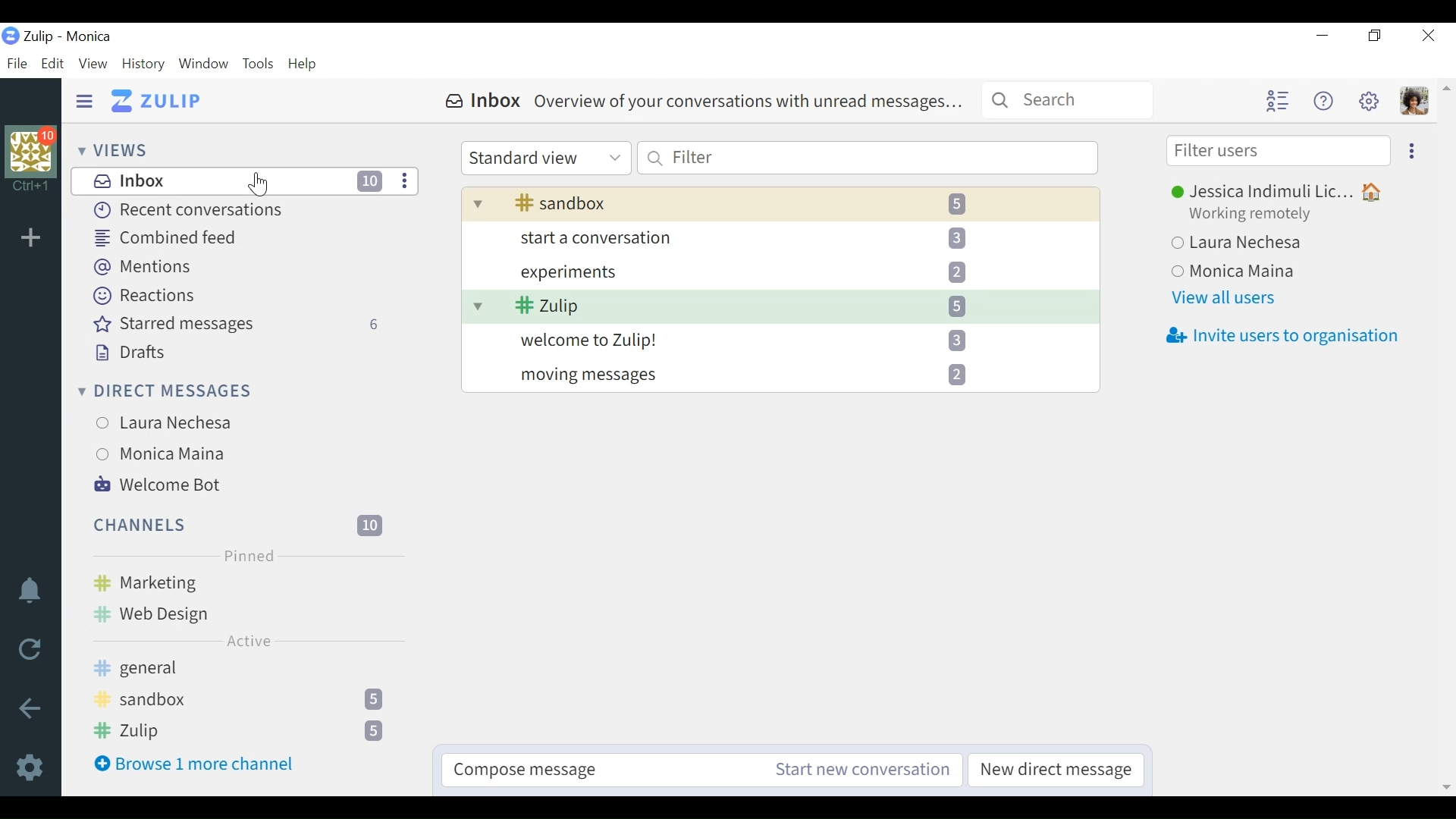  I want to click on Welcome bot, so click(161, 486).